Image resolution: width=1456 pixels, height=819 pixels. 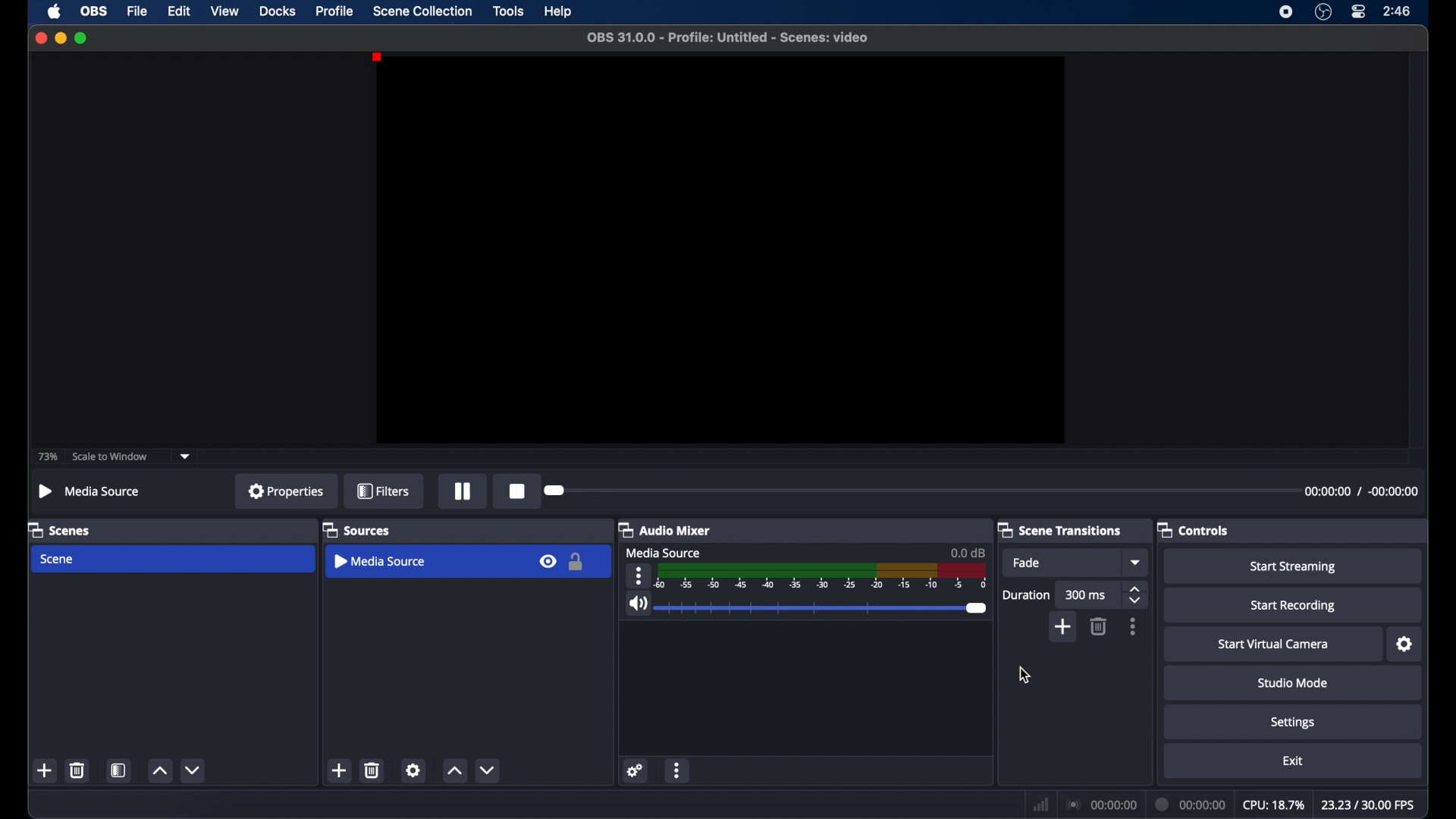 What do you see at coordinates (808, 577) in the screenshot?
I see `Signal` at bounding box center [808, 577].